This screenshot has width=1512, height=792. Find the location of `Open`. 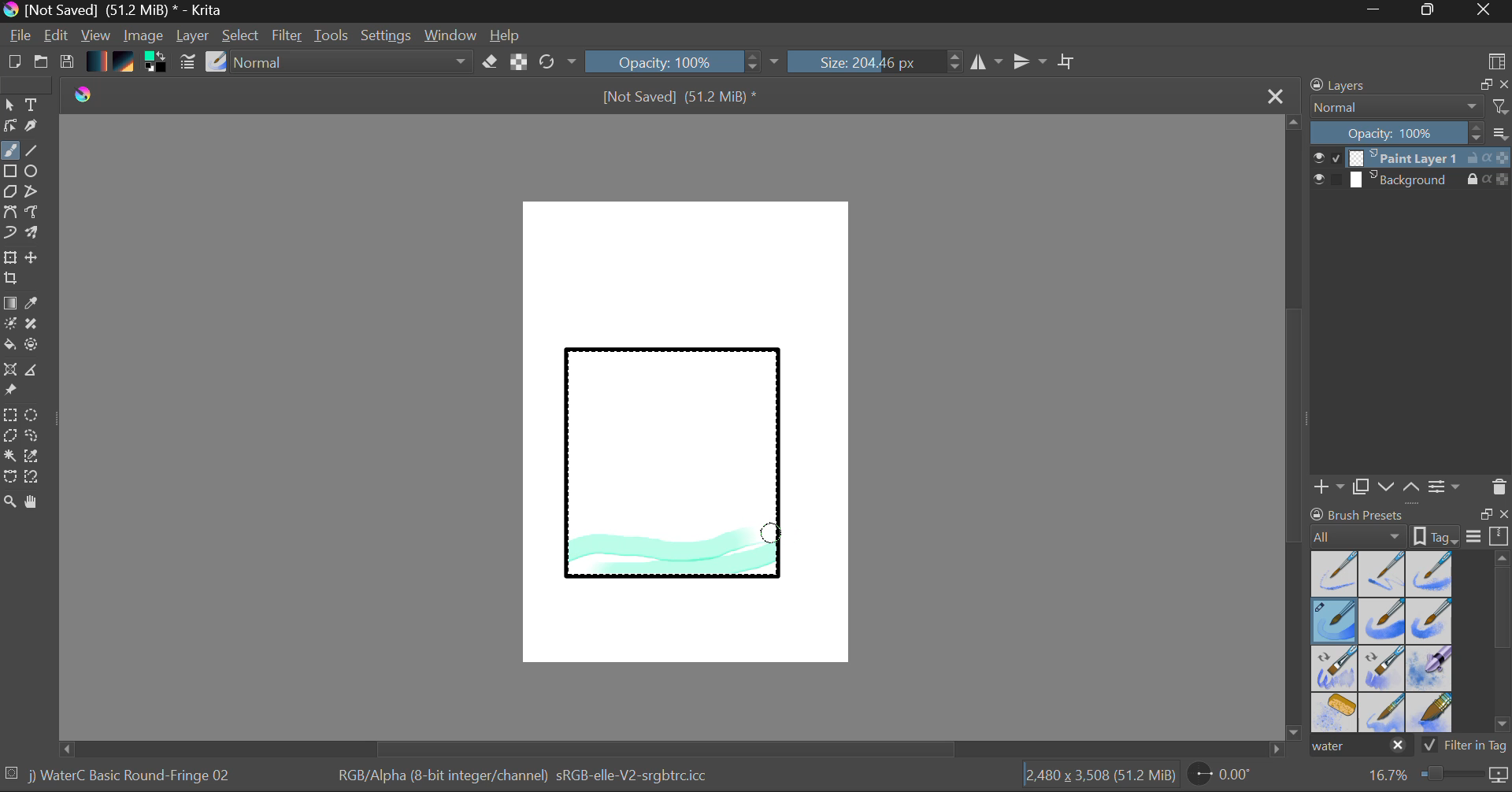

Open is located at coordinates (43, 64).